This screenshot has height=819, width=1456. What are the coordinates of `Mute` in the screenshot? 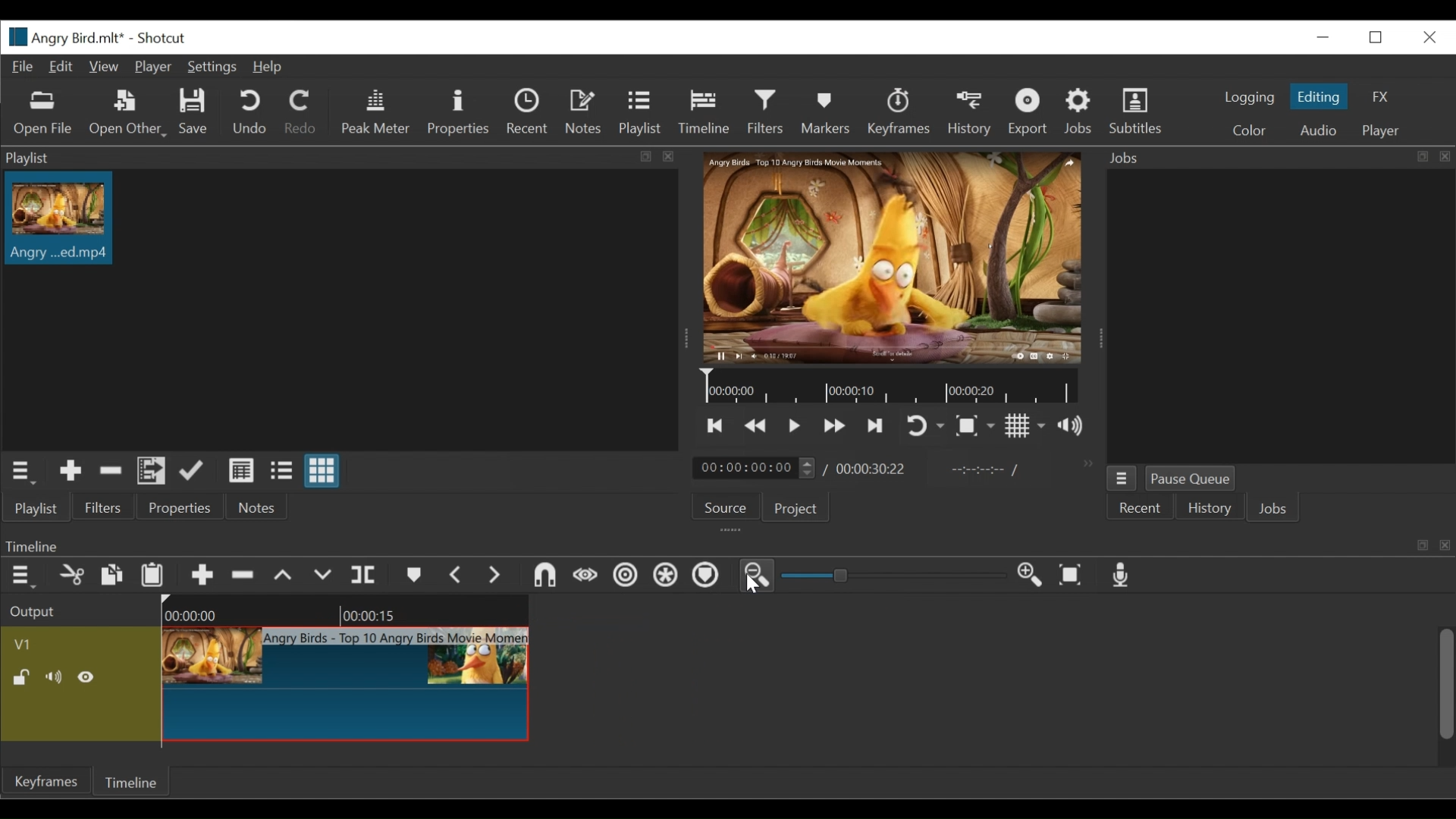 It's located at (54, 676).